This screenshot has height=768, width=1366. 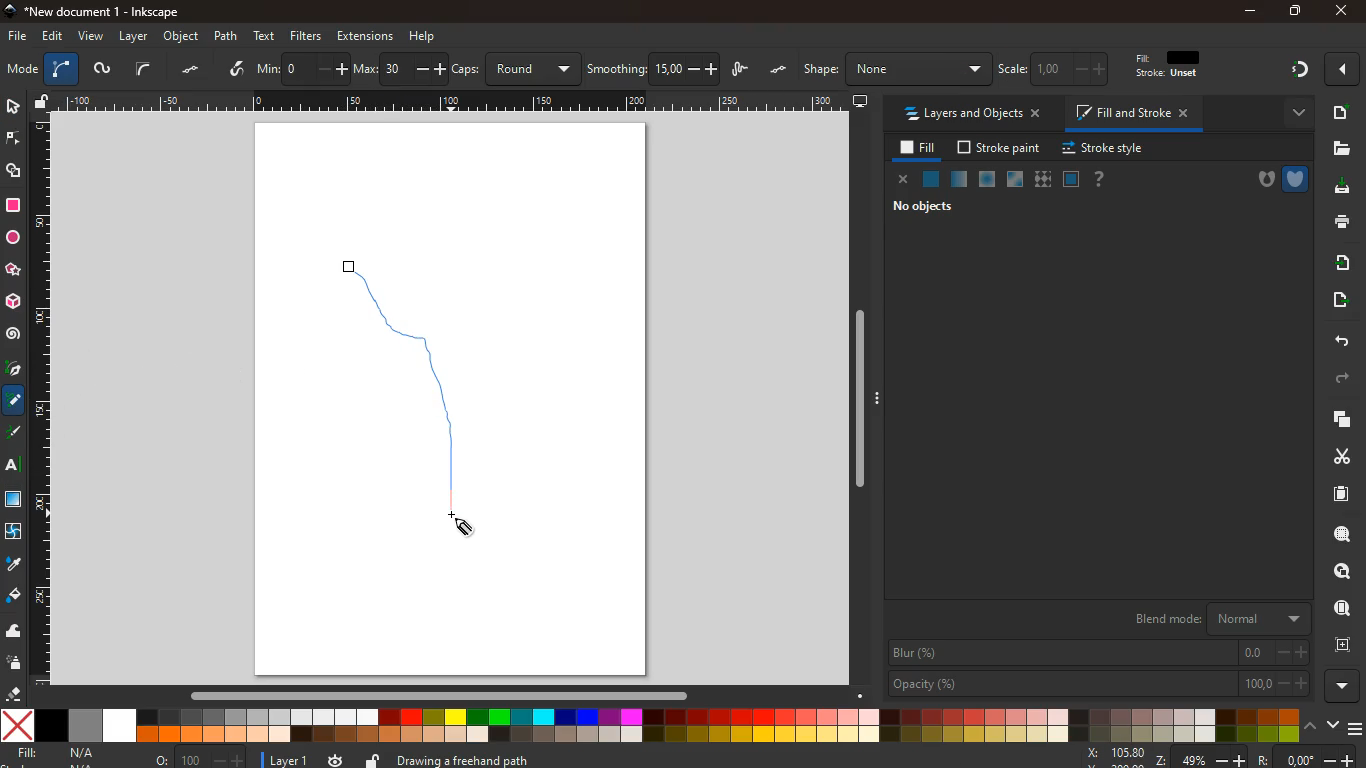 I want to click on frame, so click(x=1070, y=179).